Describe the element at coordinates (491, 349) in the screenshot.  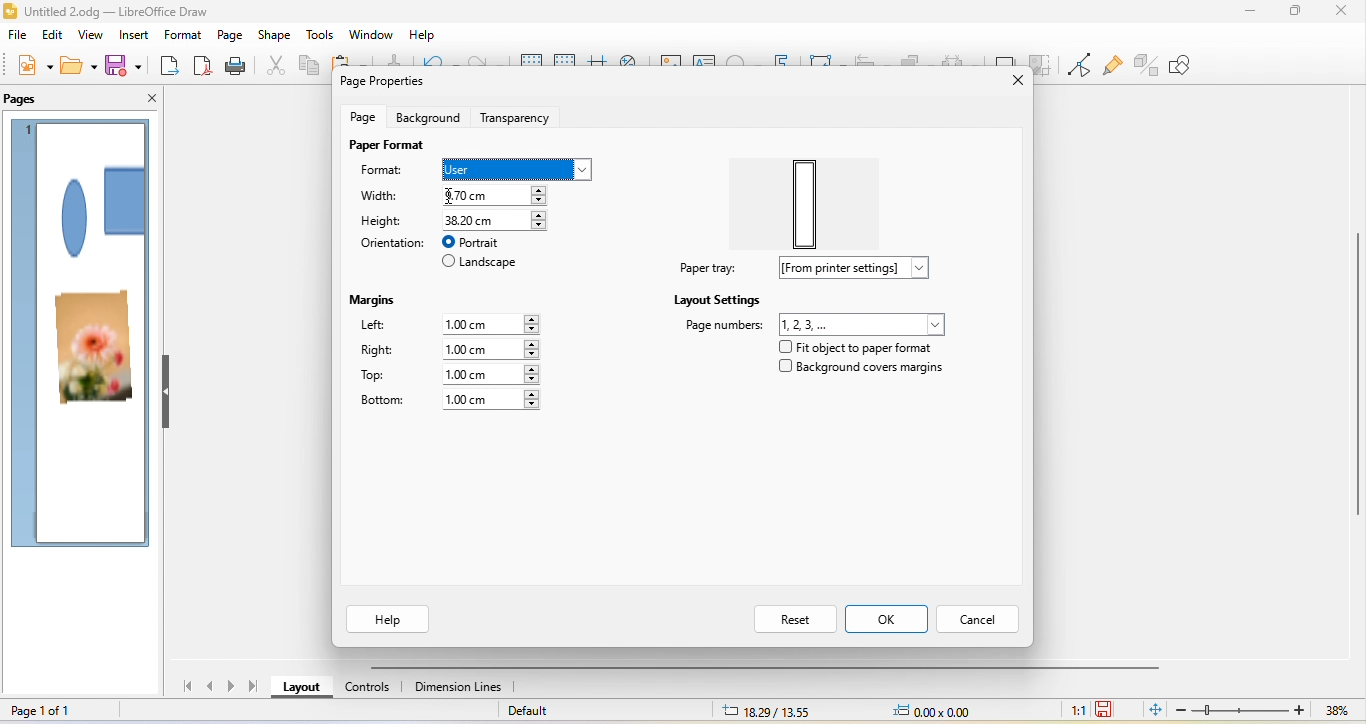
I see `1.00 cm` at that location.